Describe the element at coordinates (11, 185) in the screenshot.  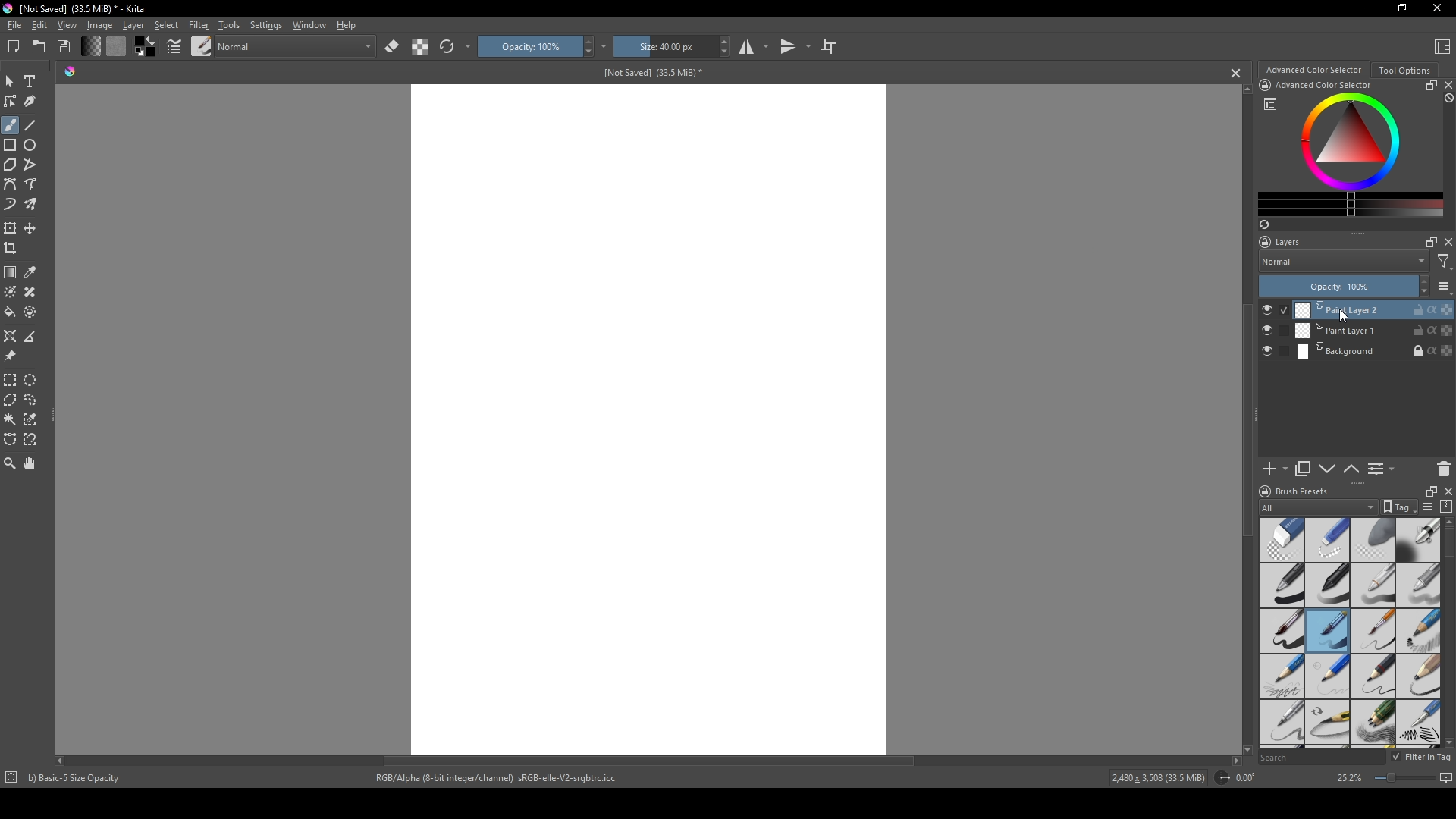
I see `bezier` at that location.